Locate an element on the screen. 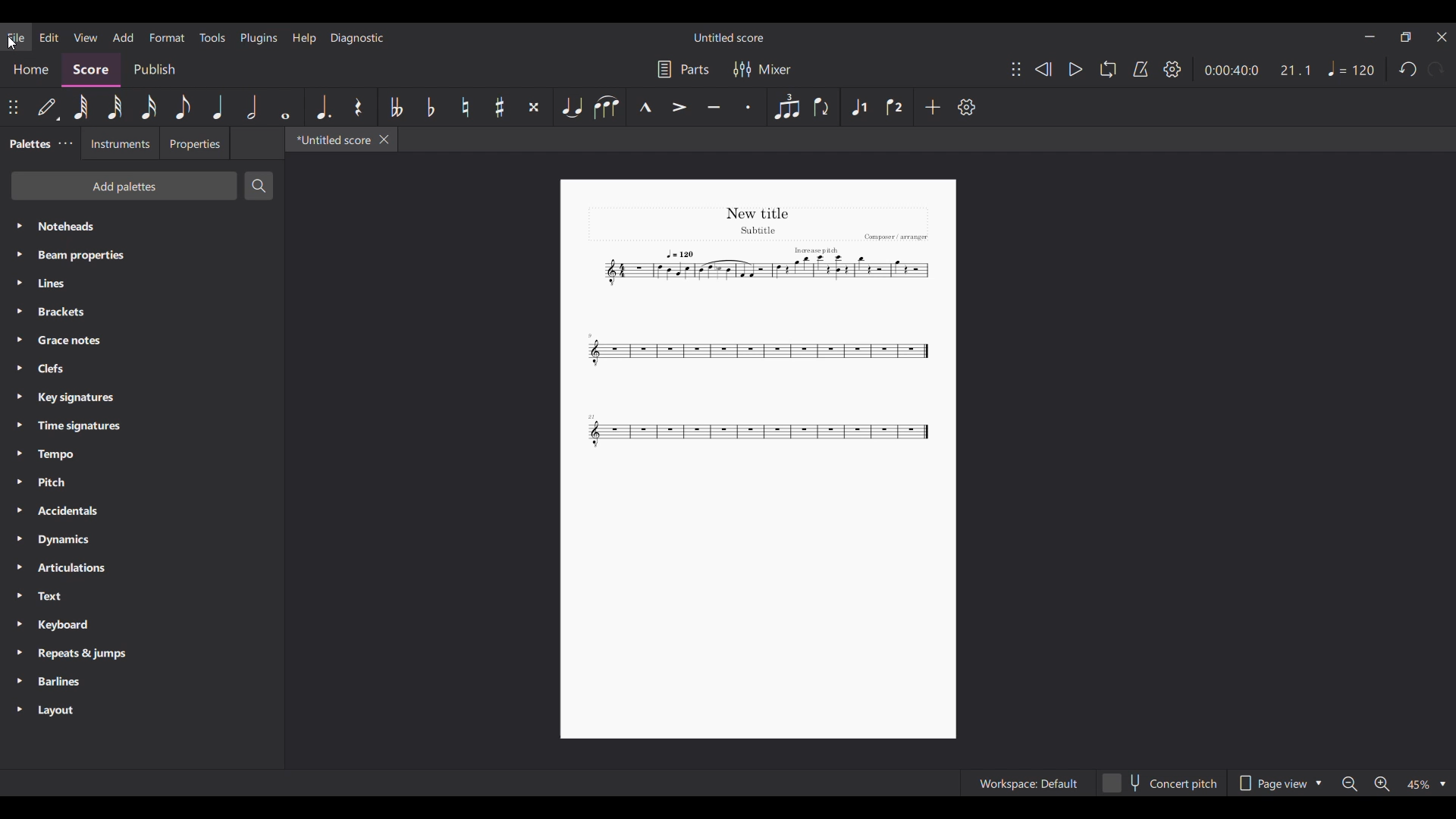  Tempo is located at coordinates (1352, 68).